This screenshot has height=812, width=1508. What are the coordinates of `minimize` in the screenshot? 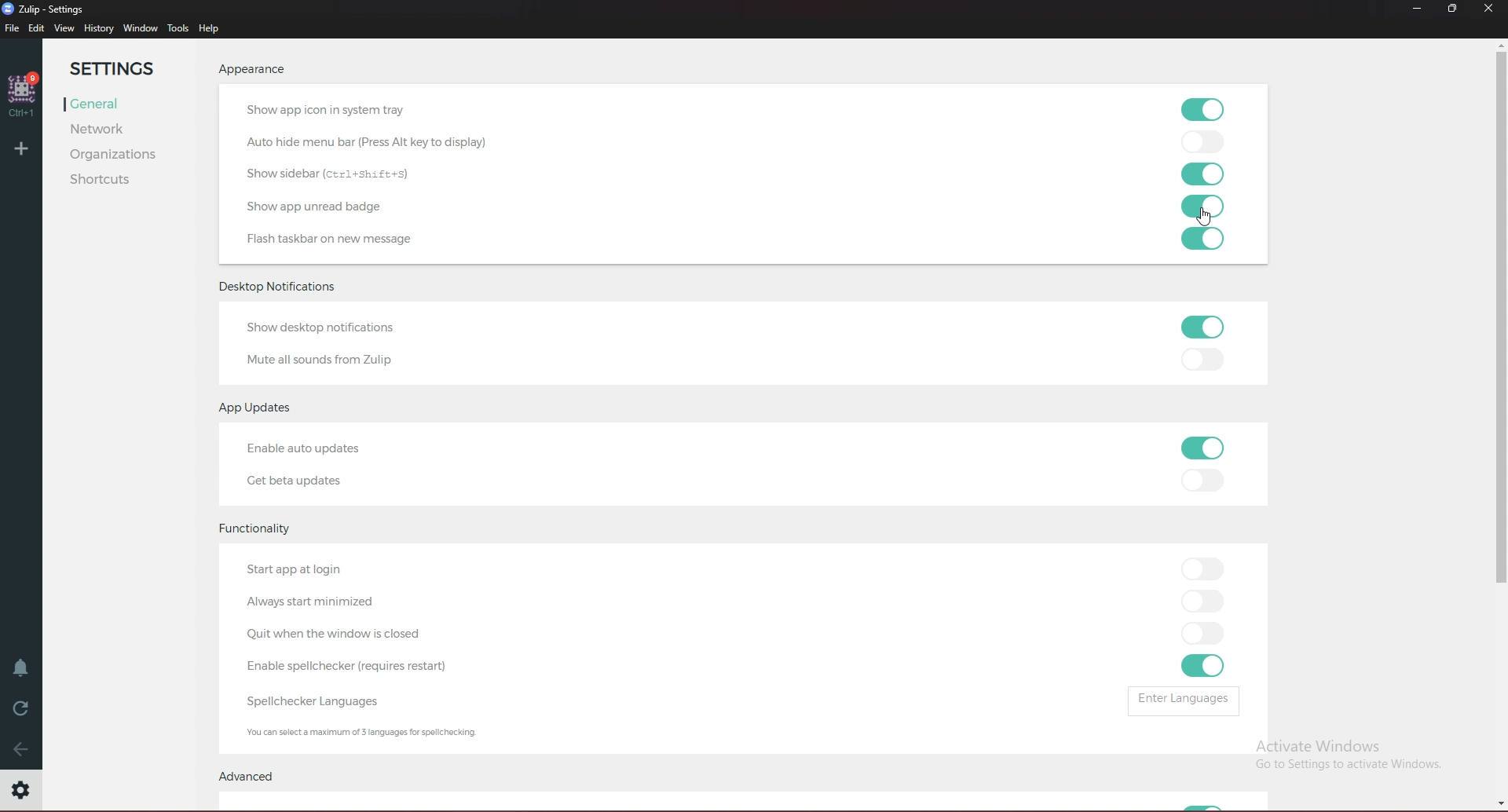 It's located at (1418, 8).